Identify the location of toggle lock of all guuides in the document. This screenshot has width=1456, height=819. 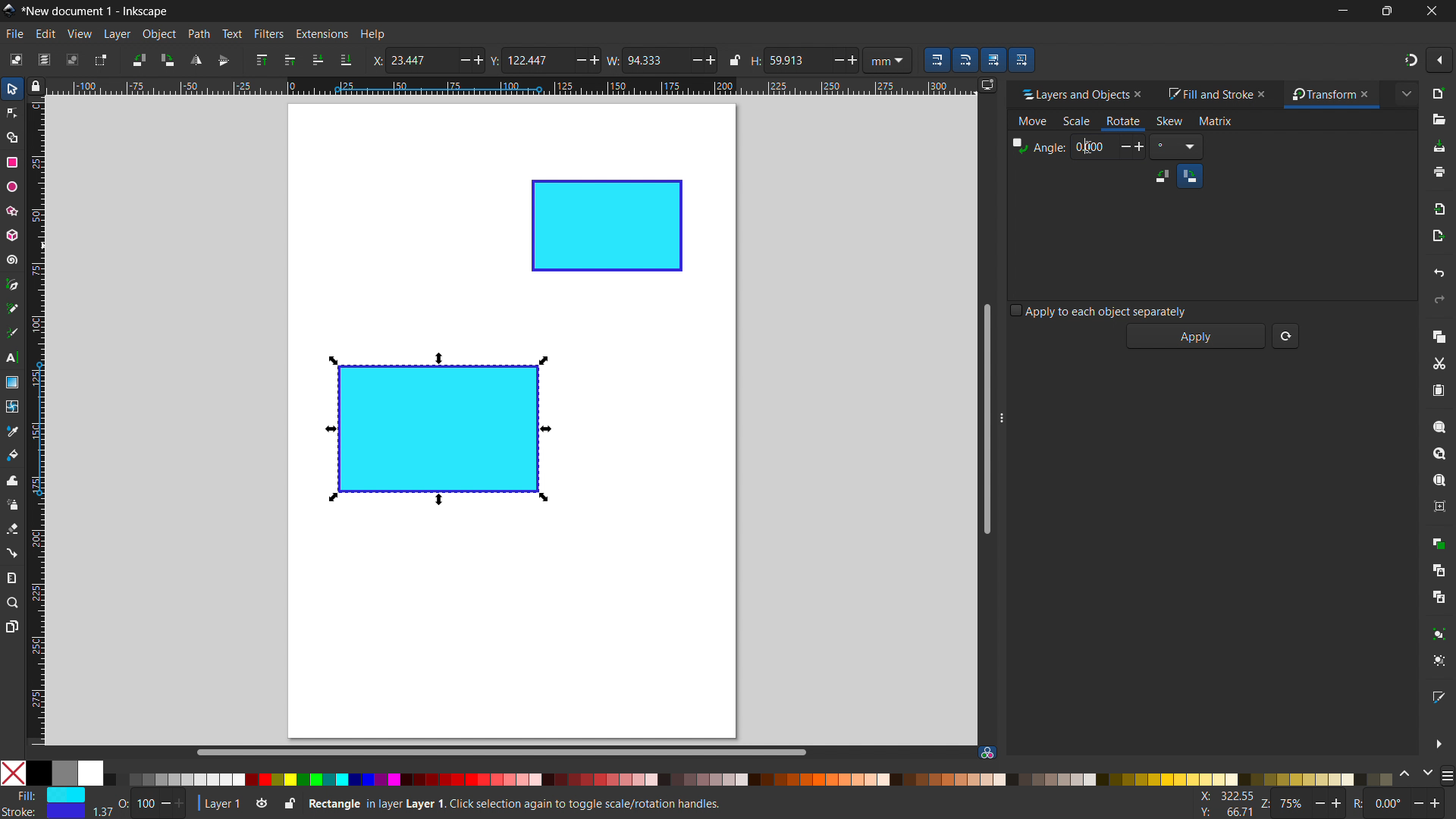
(36, 86).